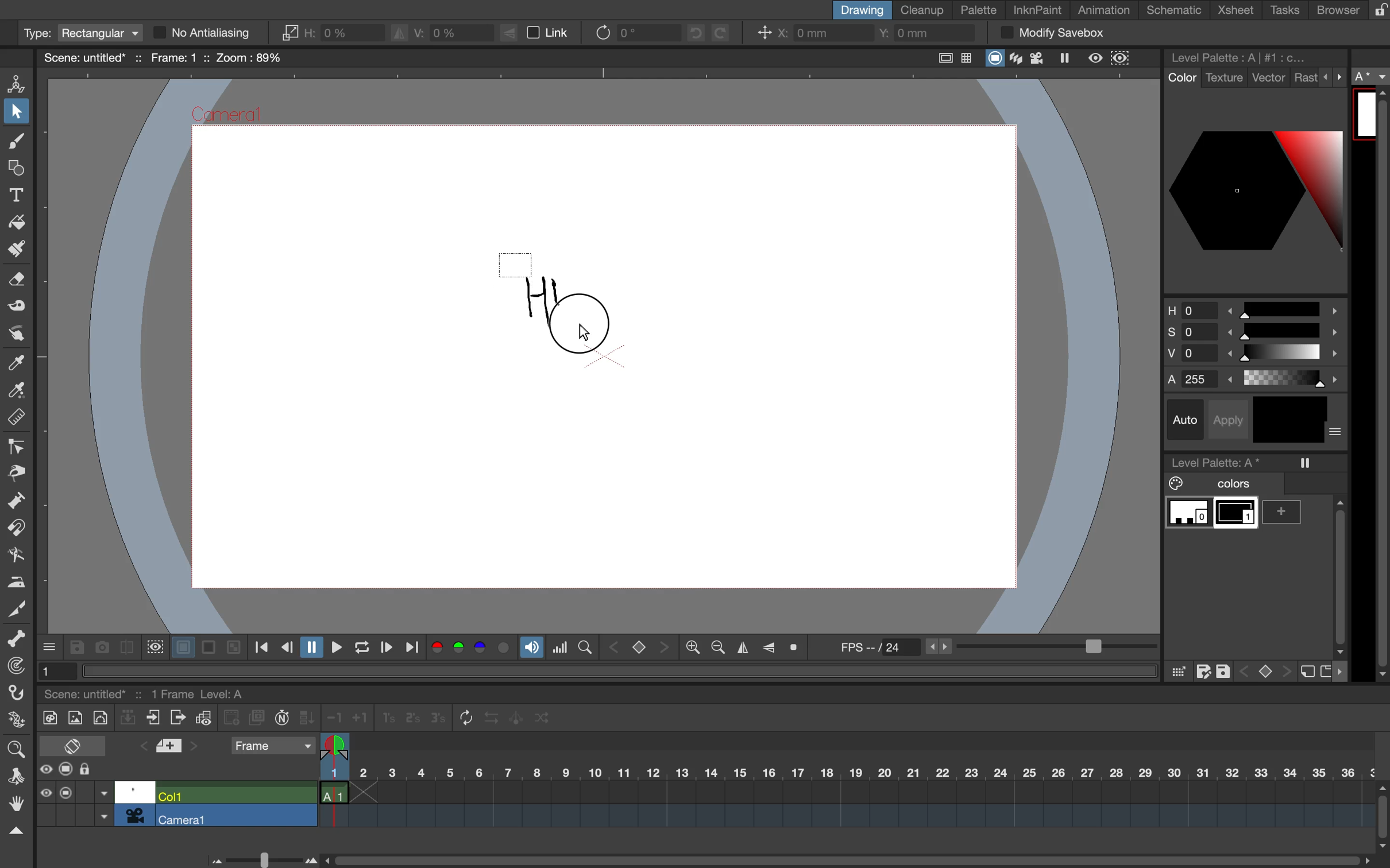 Image resolution: width=1390 pixels, height=868 pixels. Describe the element at coordinates (96, 770) in the screenshot. I see `lock toggle all` at that location.